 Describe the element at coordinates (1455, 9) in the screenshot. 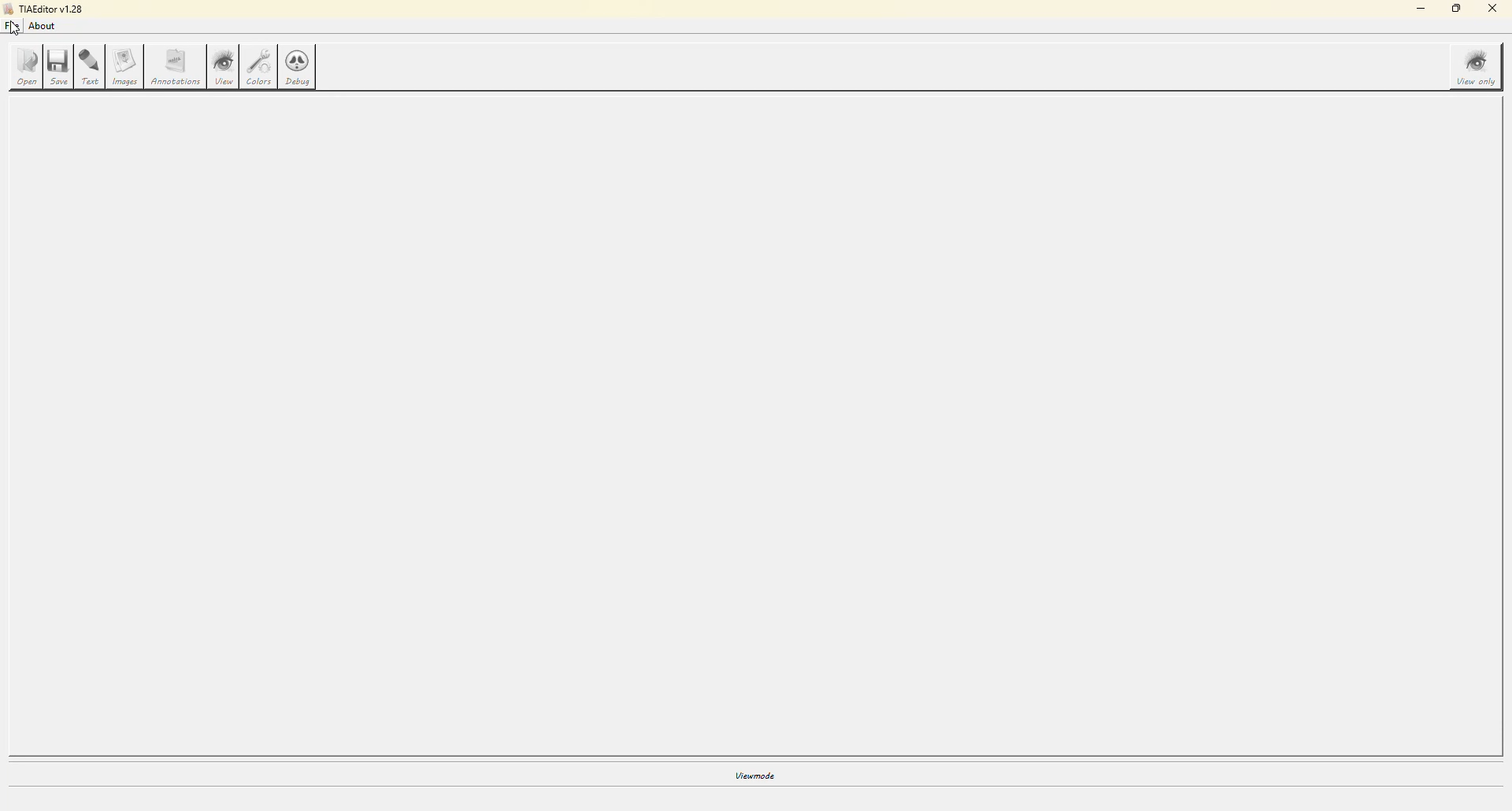

I see `maximize` at that location.